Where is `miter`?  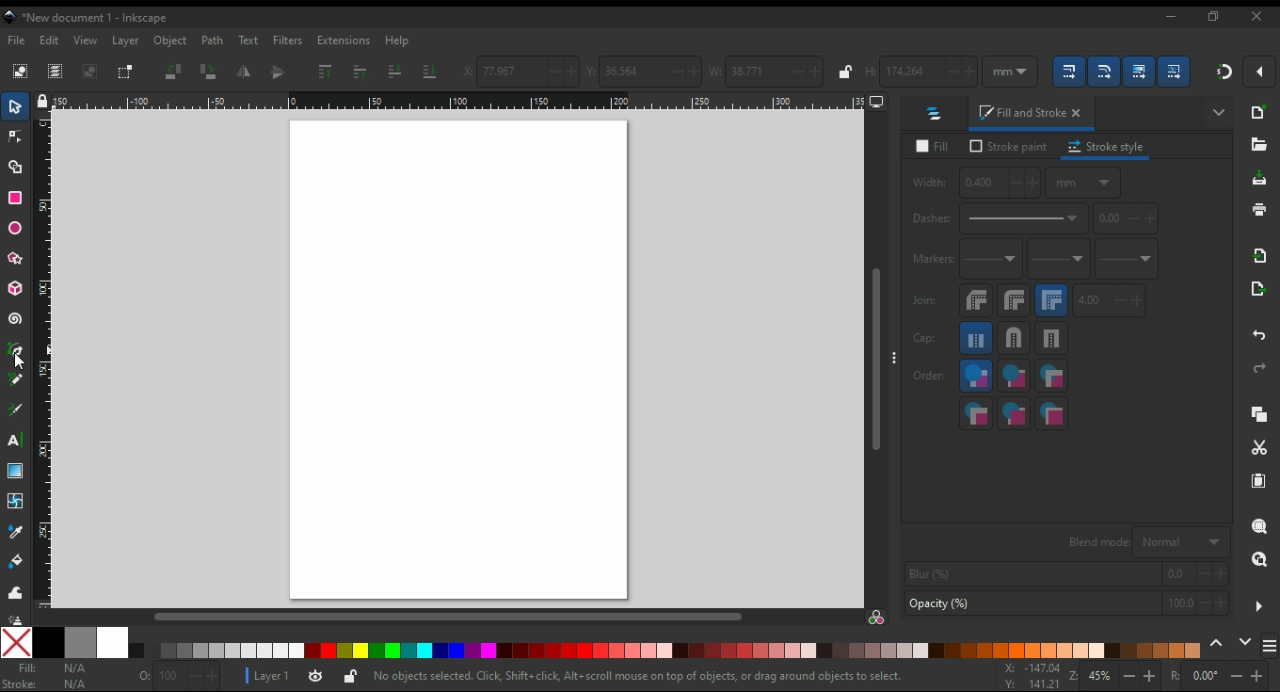
miter is located at coordinates (1053, 300).